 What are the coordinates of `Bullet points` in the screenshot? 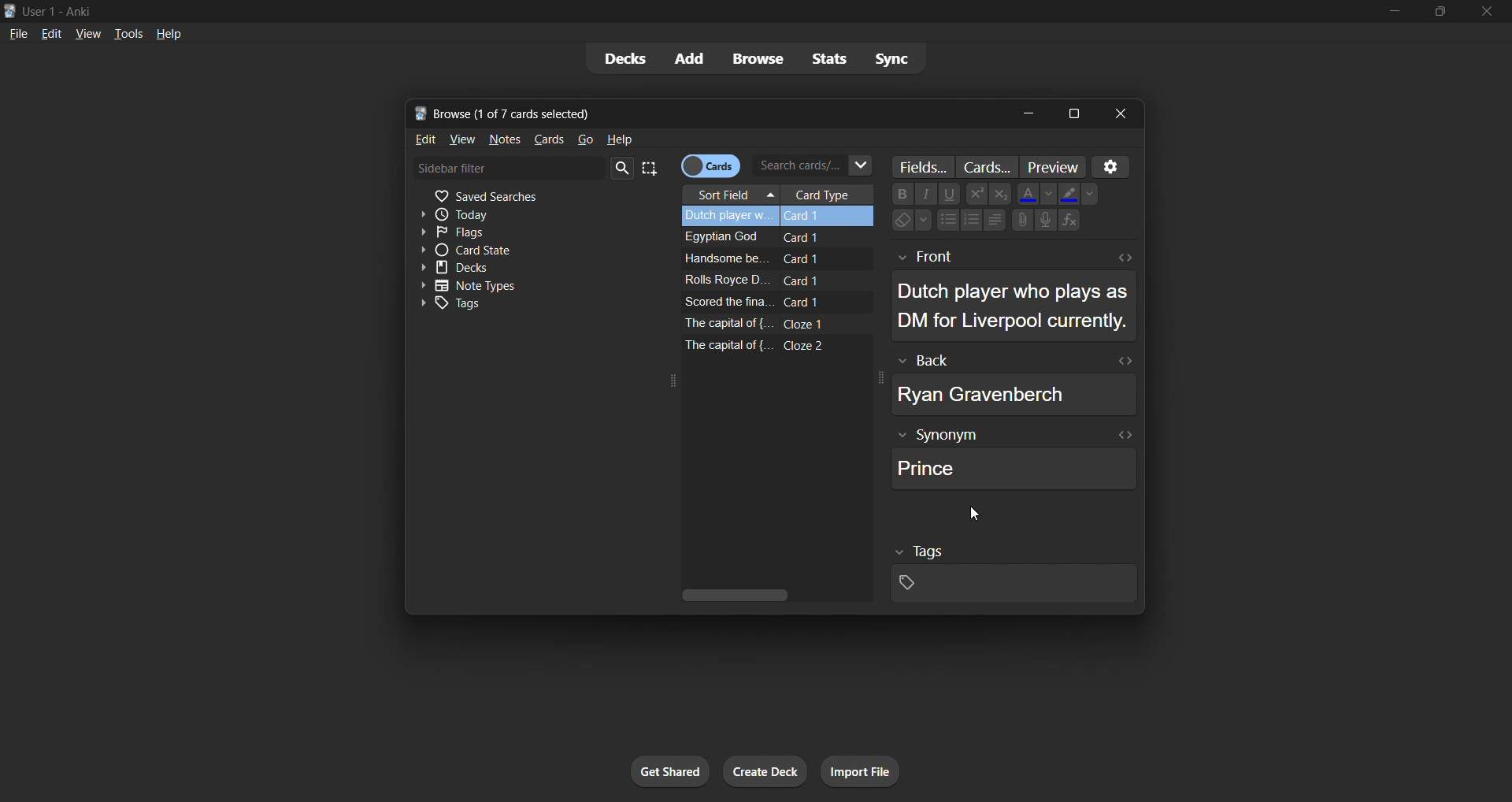 It's located at (948, 221).